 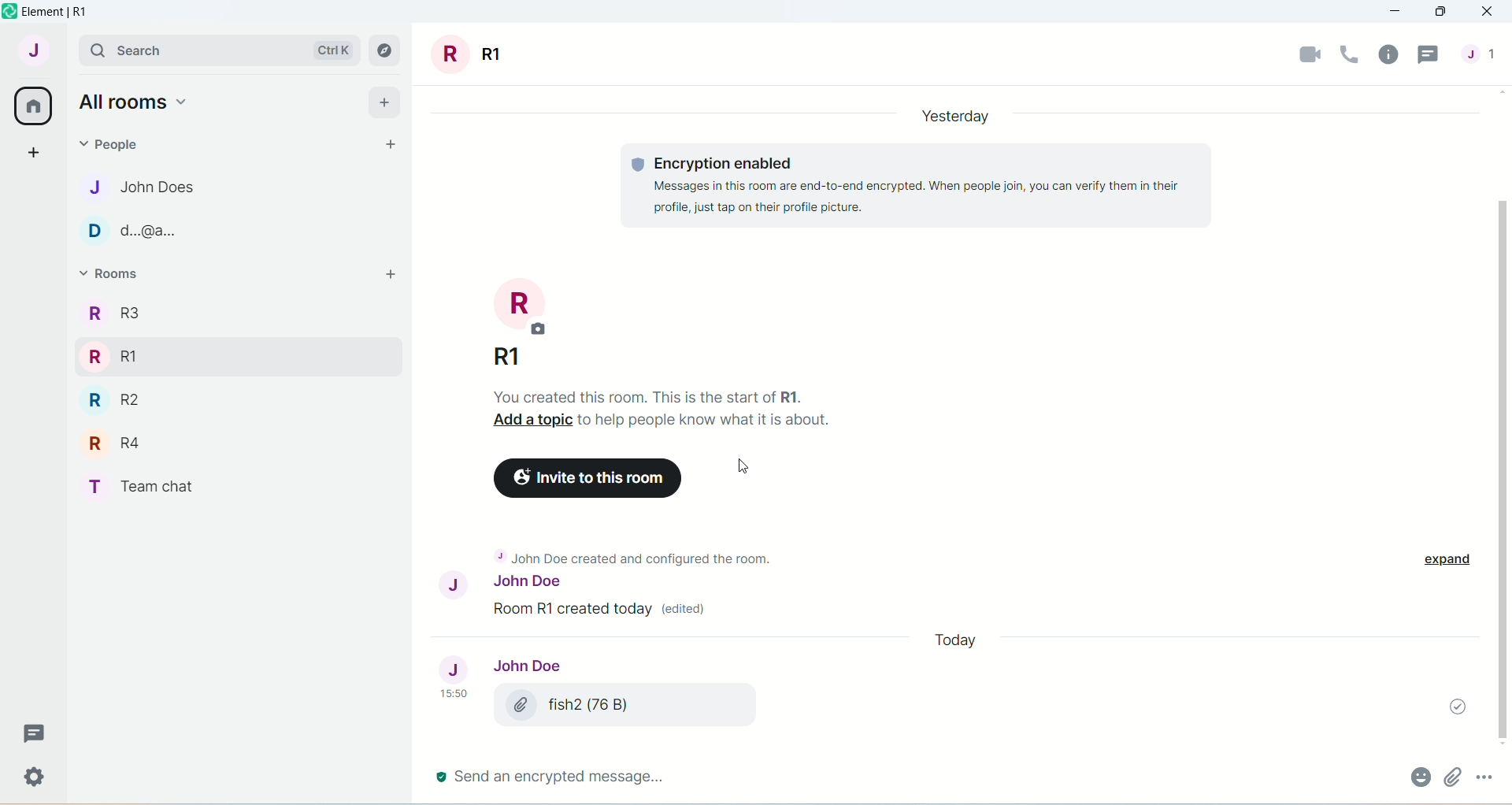 What do you see at coordinates (1448, 559) in the screenshot?
I see `expand` at bounding box center [1448, 559].